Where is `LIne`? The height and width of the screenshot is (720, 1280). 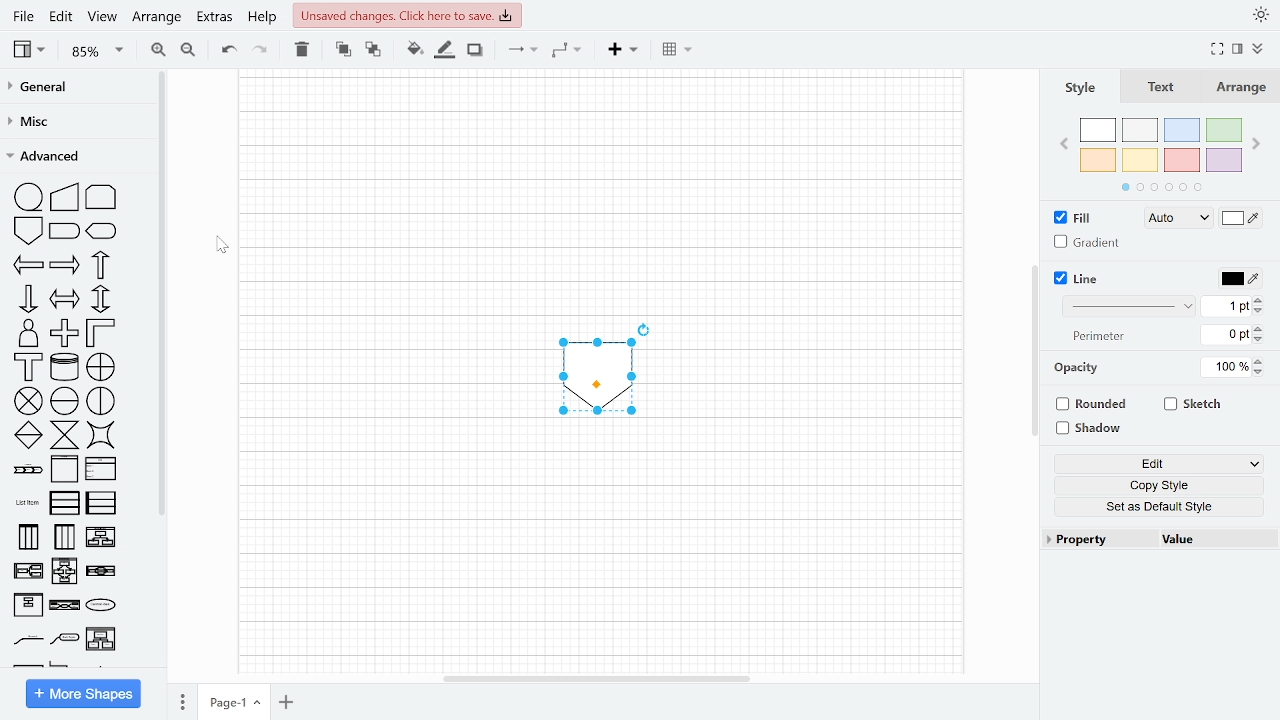 LIne is located at coordinates (1073, 280).